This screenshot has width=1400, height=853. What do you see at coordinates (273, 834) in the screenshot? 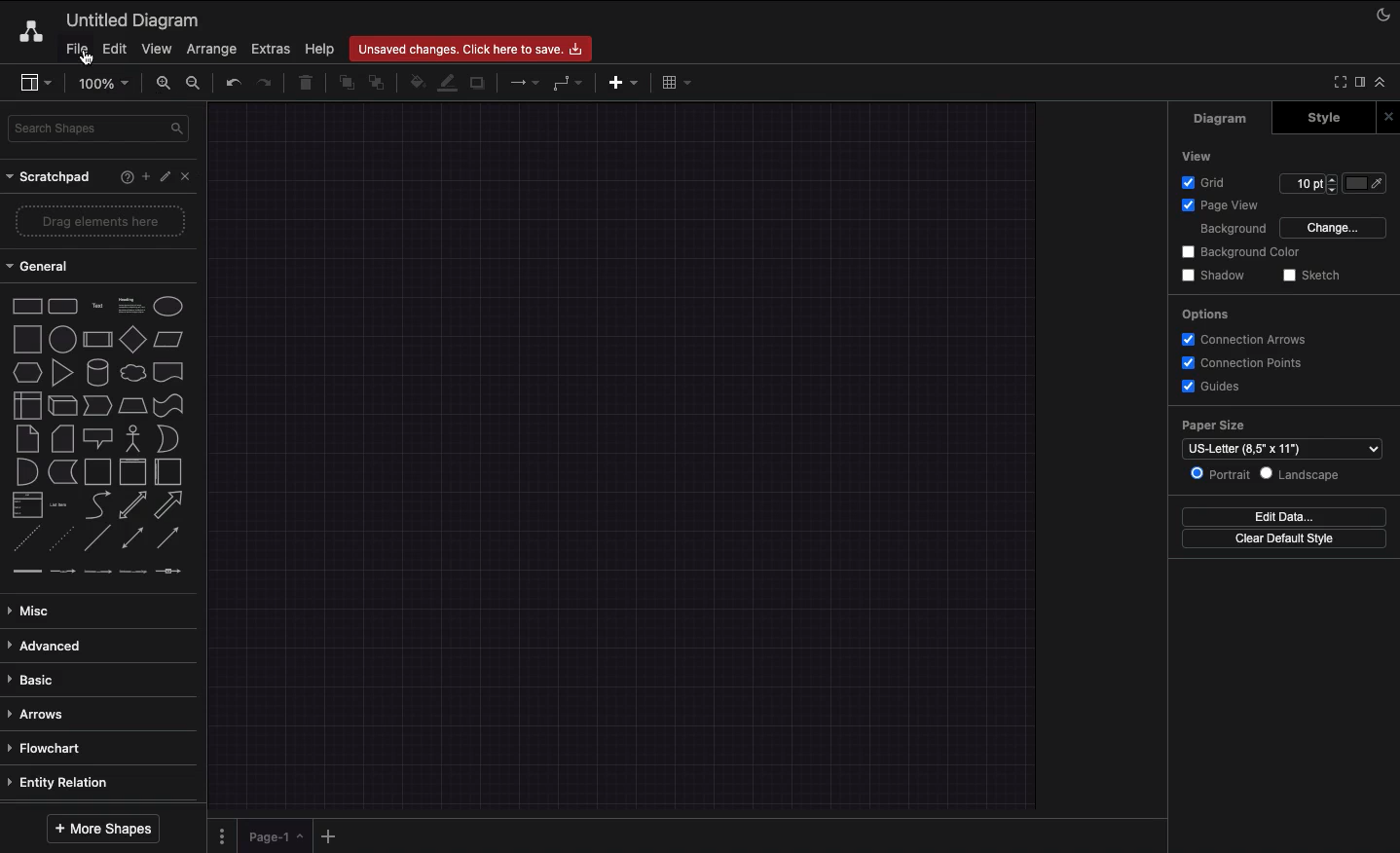
I see `Page 1` at bounding box center [273, 834].